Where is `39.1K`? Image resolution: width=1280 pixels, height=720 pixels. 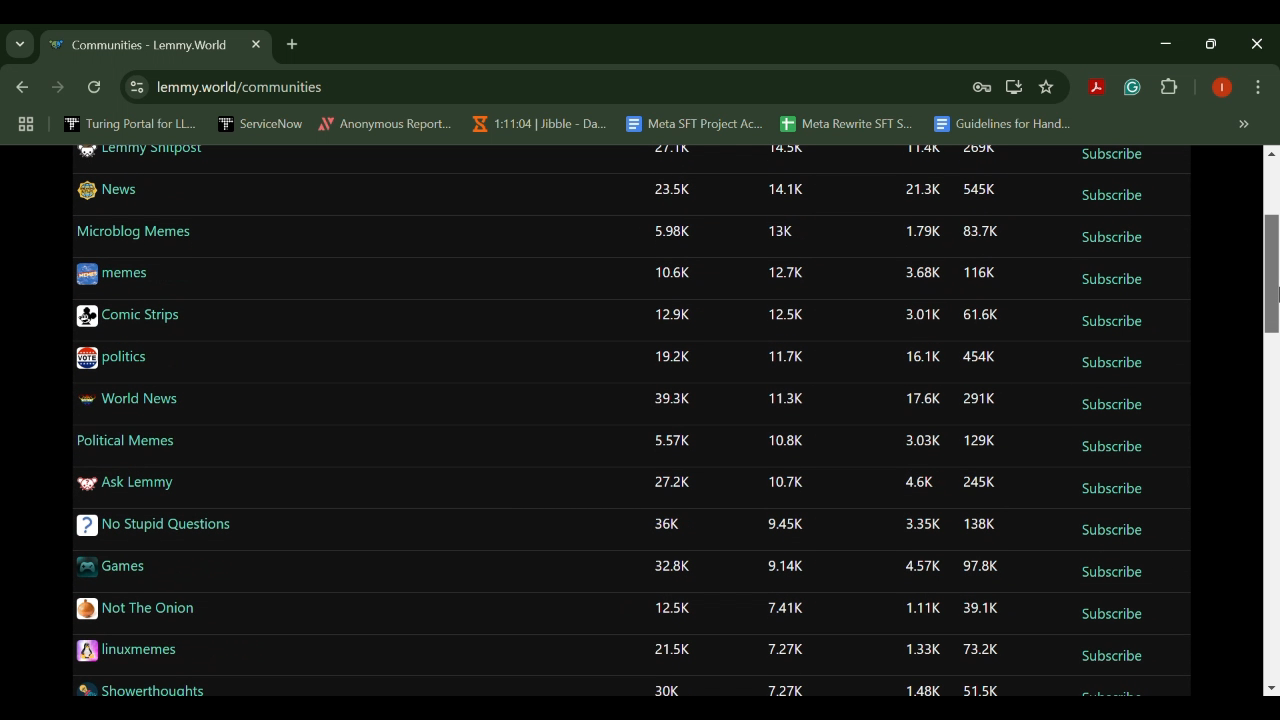 39.1K is located at coordinates (978, 608).